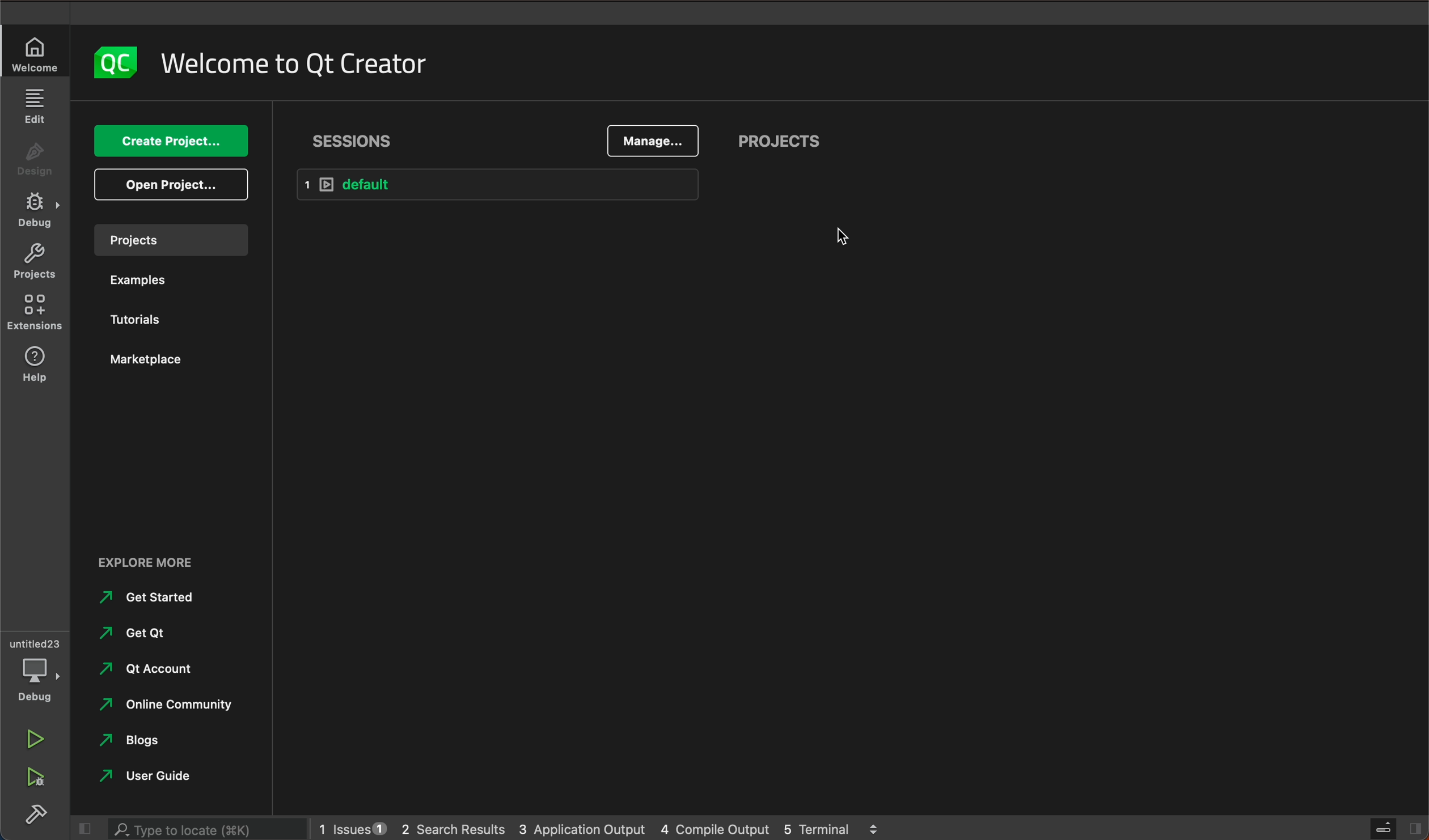  I want to click on run debug, so click(33, 777).